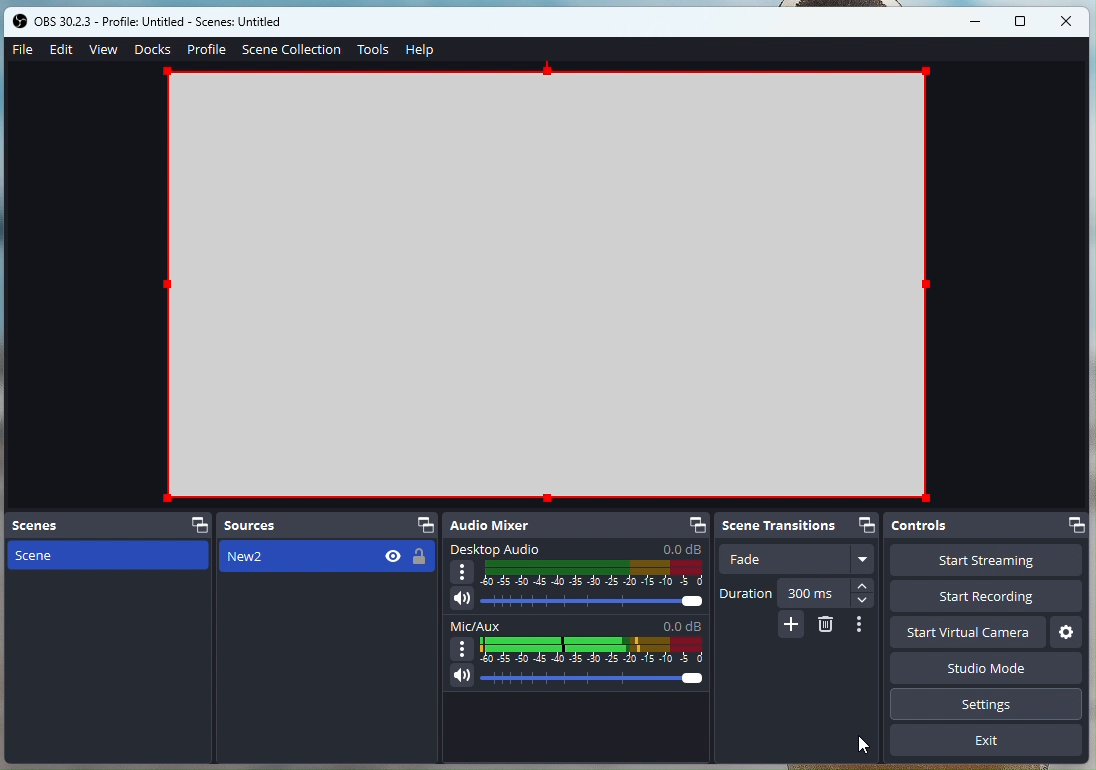  Describe the element at coordinates (24, 49) in the screenshot. I see `File` at that location.